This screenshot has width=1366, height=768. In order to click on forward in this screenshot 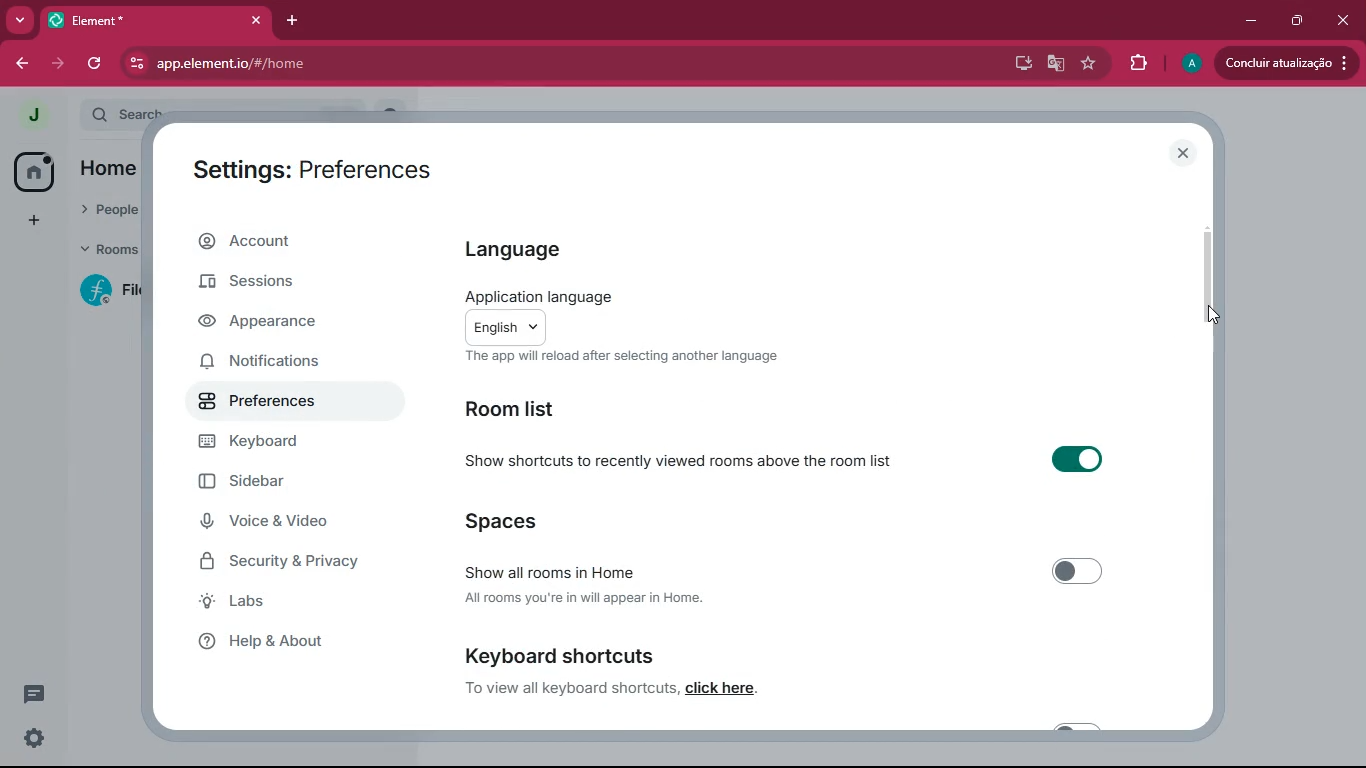, I will do `click(62, 63)`.